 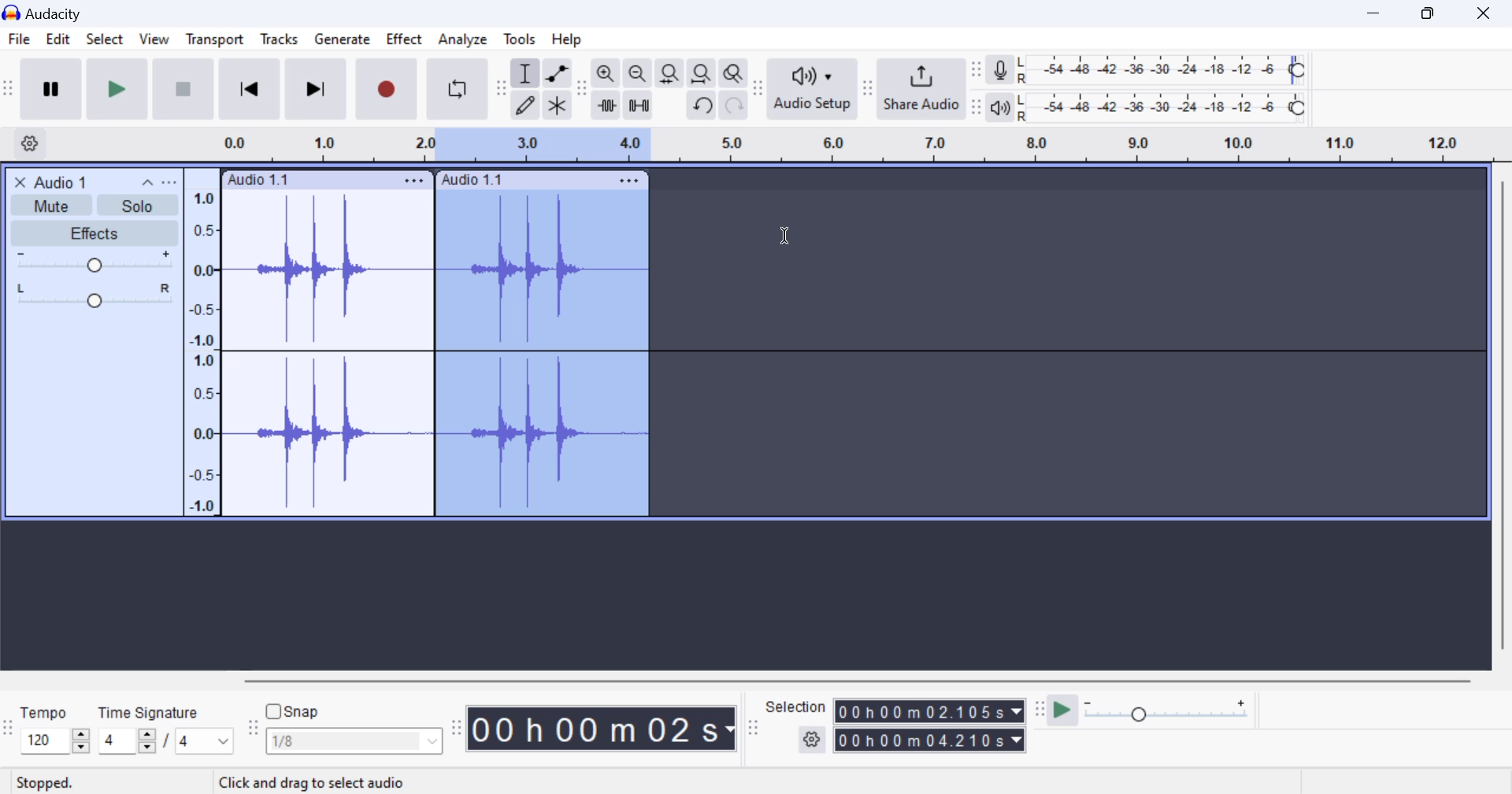 I want to click on Window Title, so click(x=50, y=13).